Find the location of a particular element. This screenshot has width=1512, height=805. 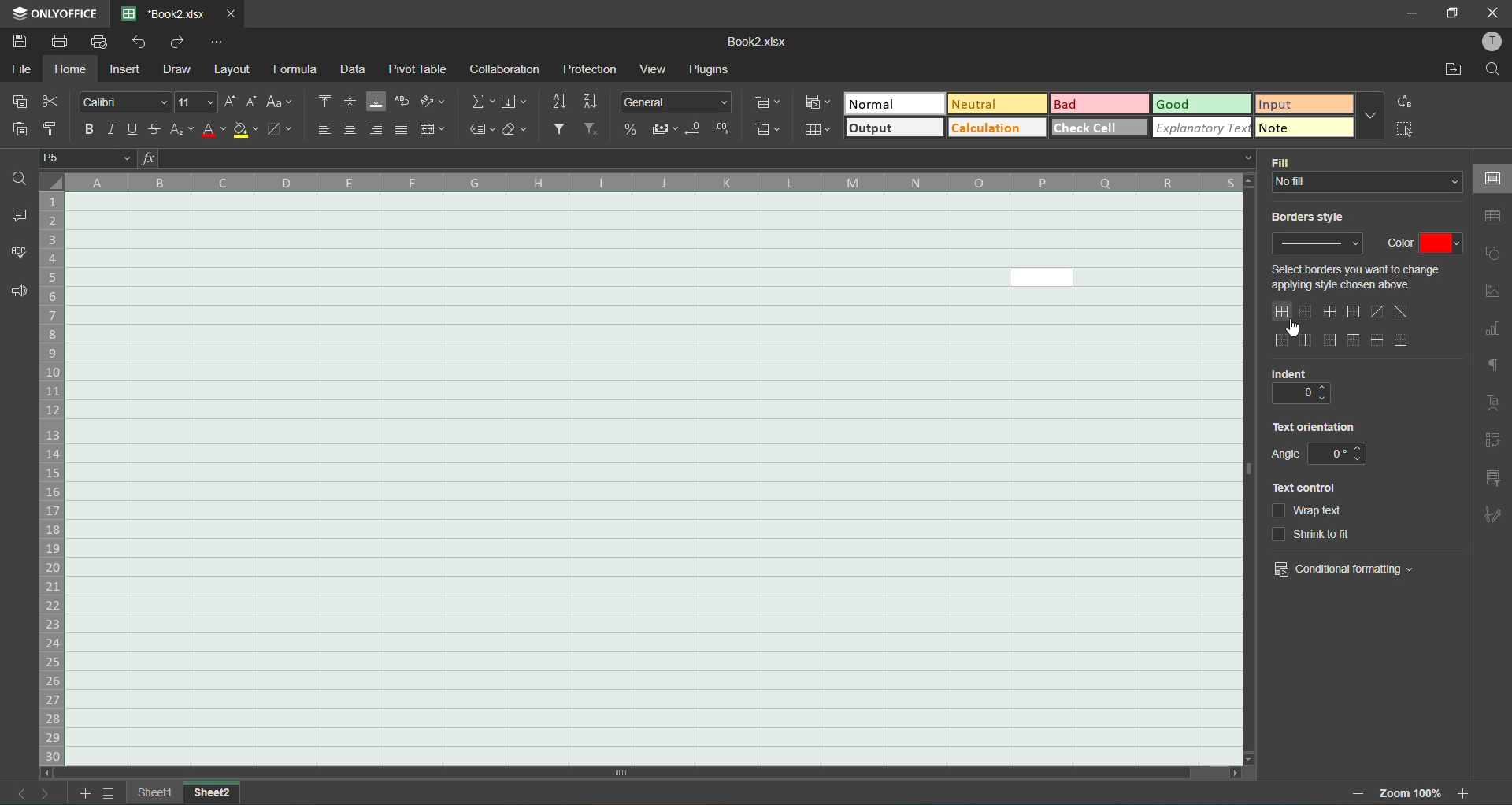

shrink to fit is located at coordinates (1314, 536).